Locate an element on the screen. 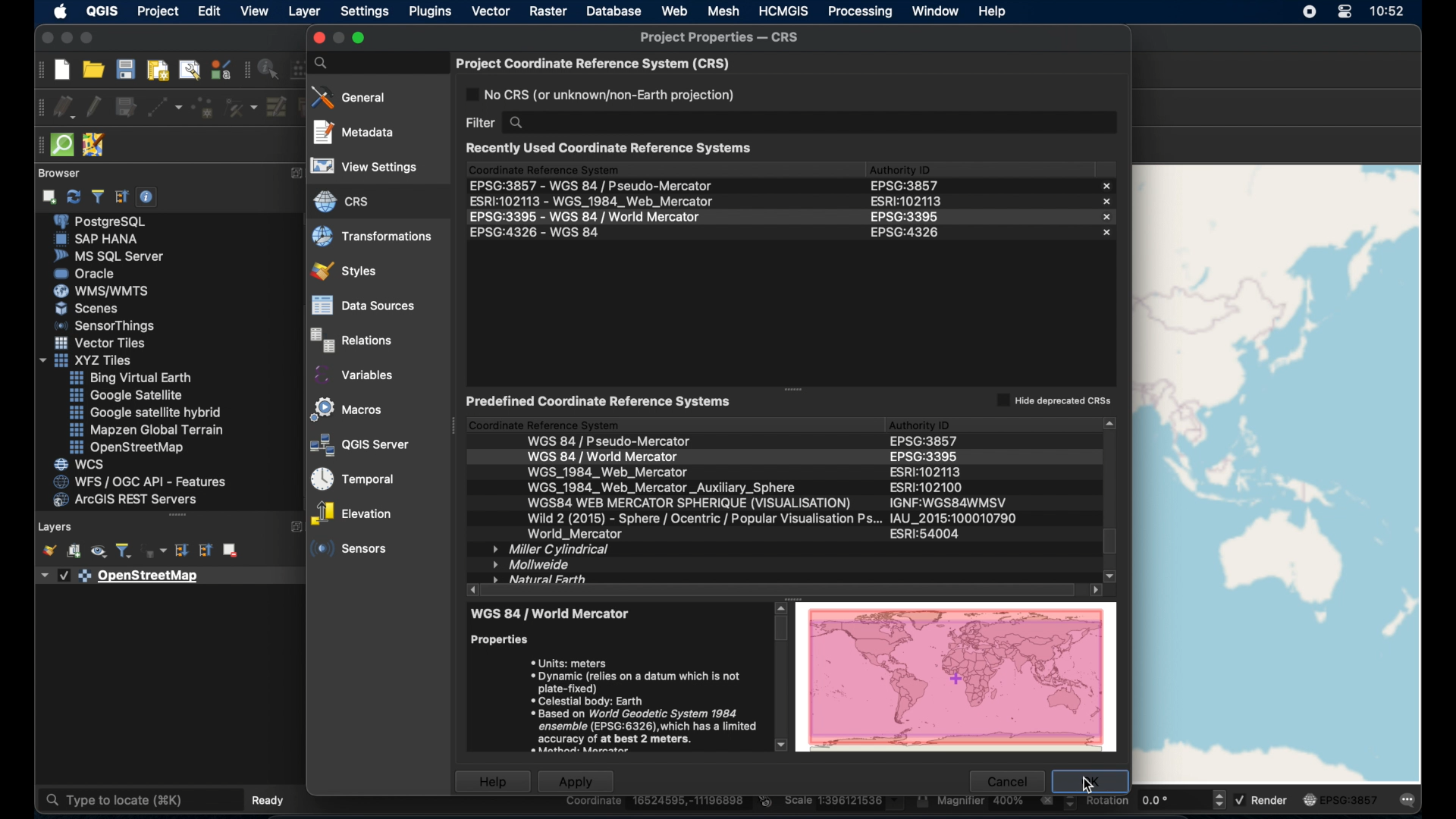 The height and width of the screenshot is (819, 1456). EPSG:4326 - WGS 84 is located at coordinates (540, 234).